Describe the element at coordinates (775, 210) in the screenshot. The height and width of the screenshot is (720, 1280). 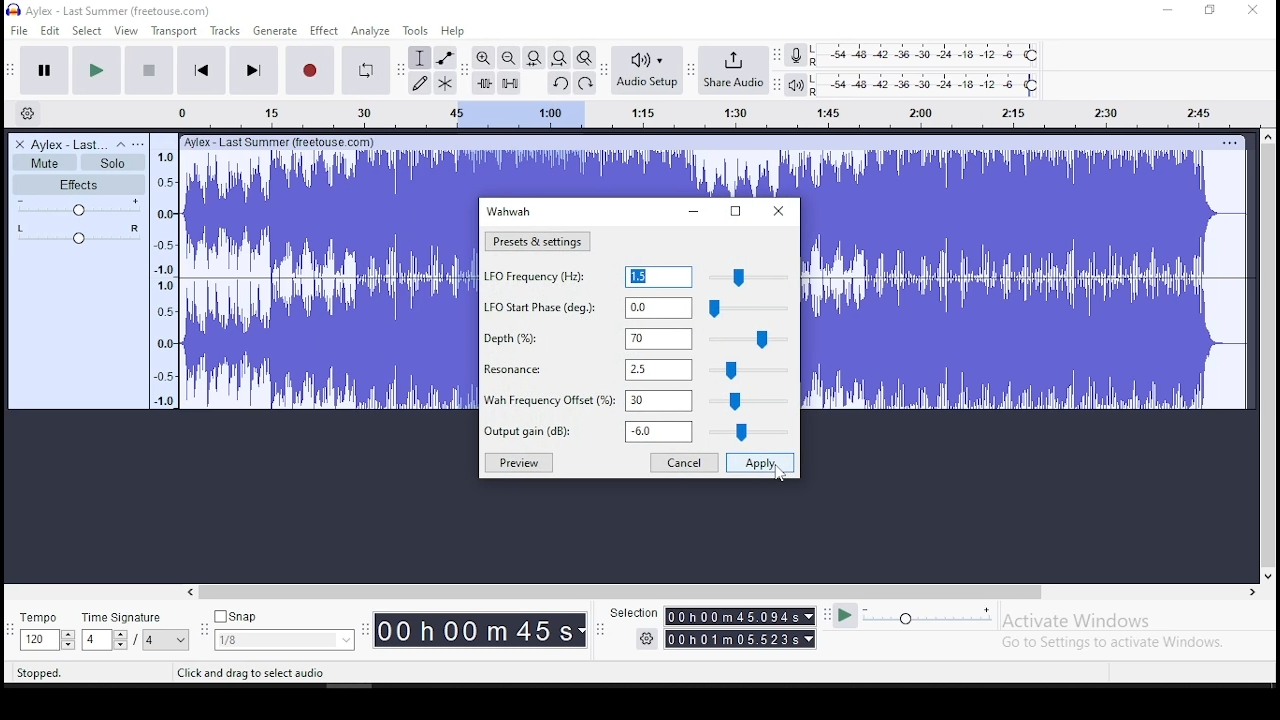
I see `close window` at that location.